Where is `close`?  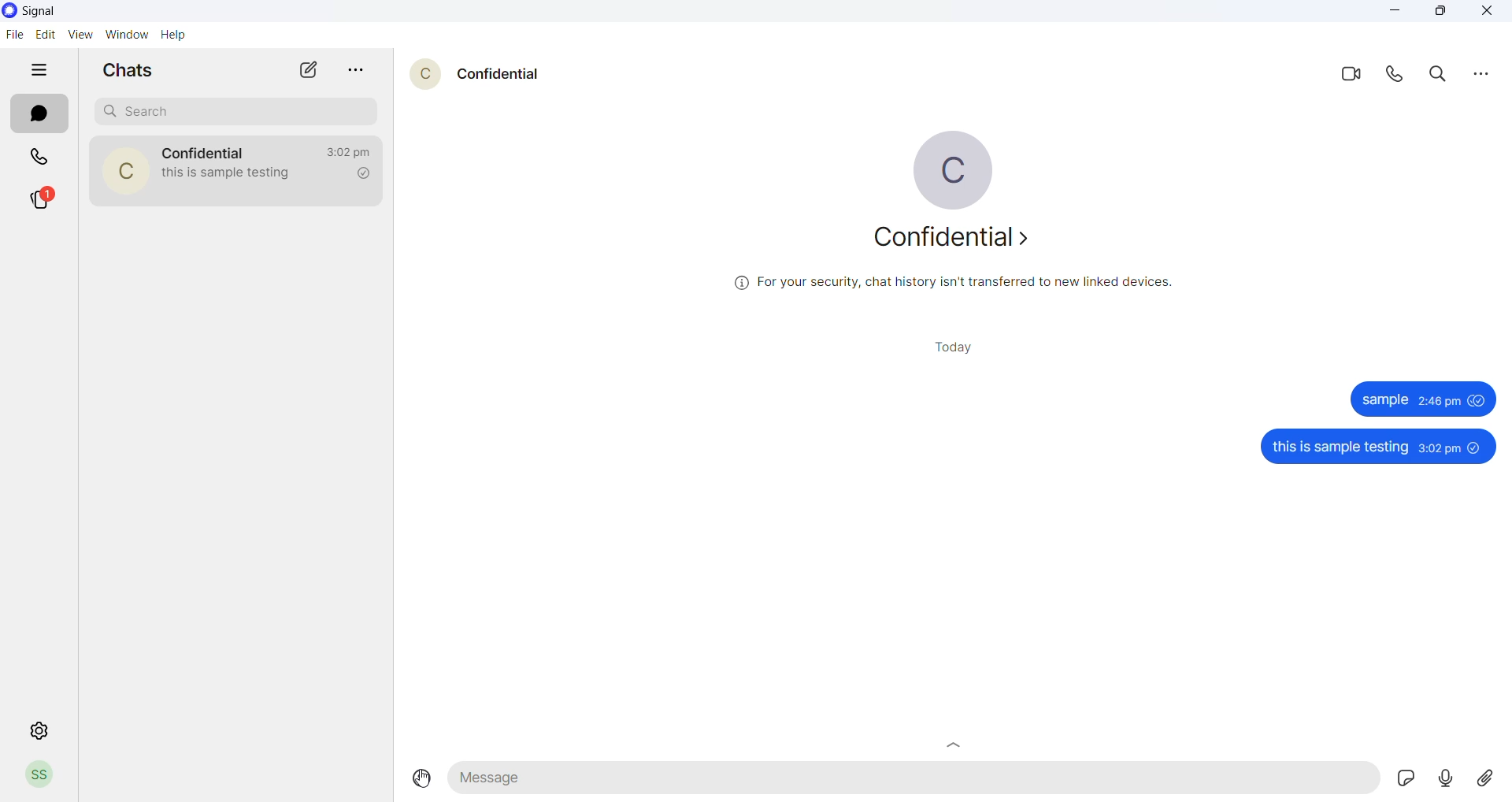
close is located at coordinates (1484, 13).